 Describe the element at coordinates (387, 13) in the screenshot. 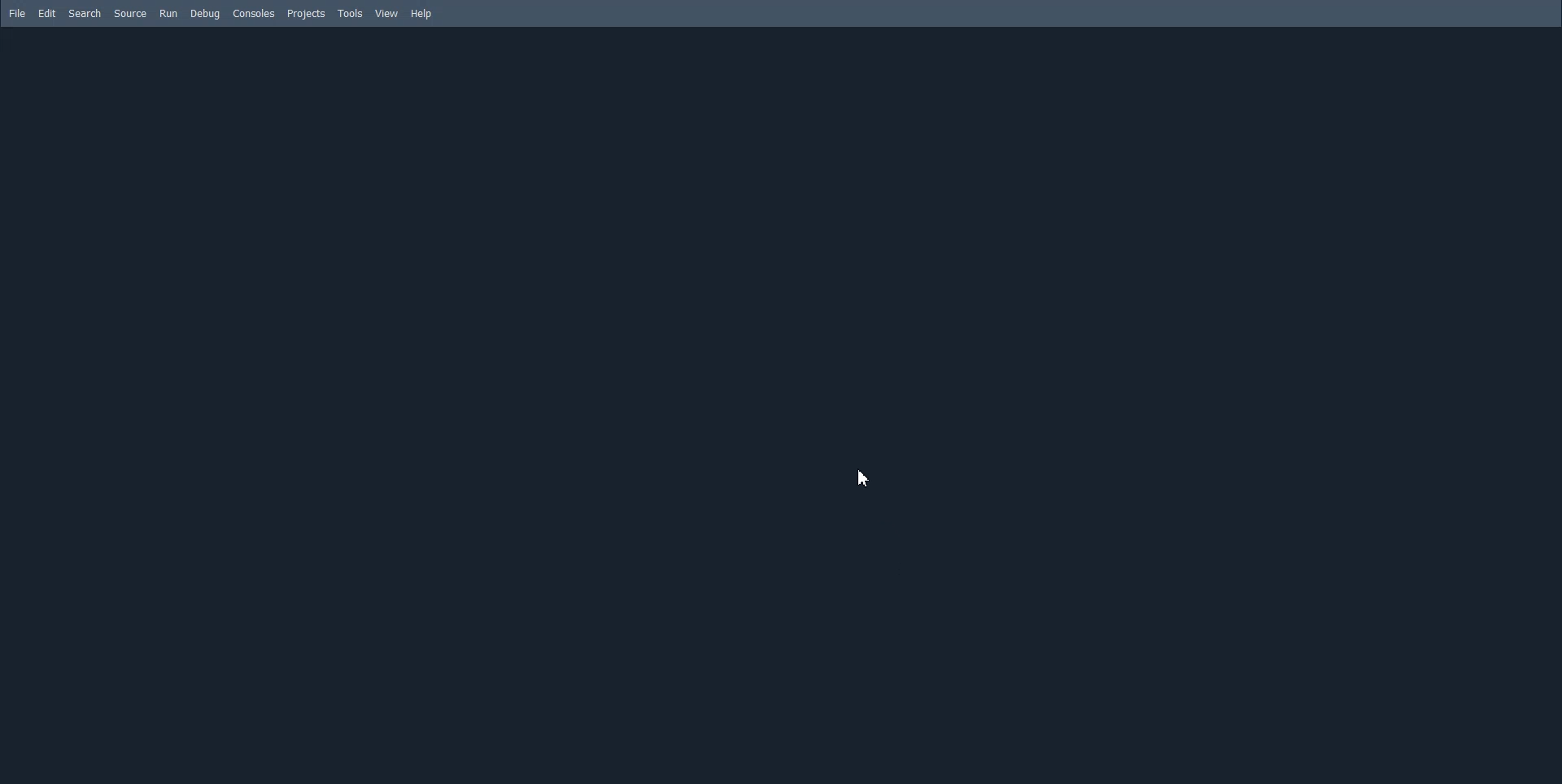

I see `View` at that location.